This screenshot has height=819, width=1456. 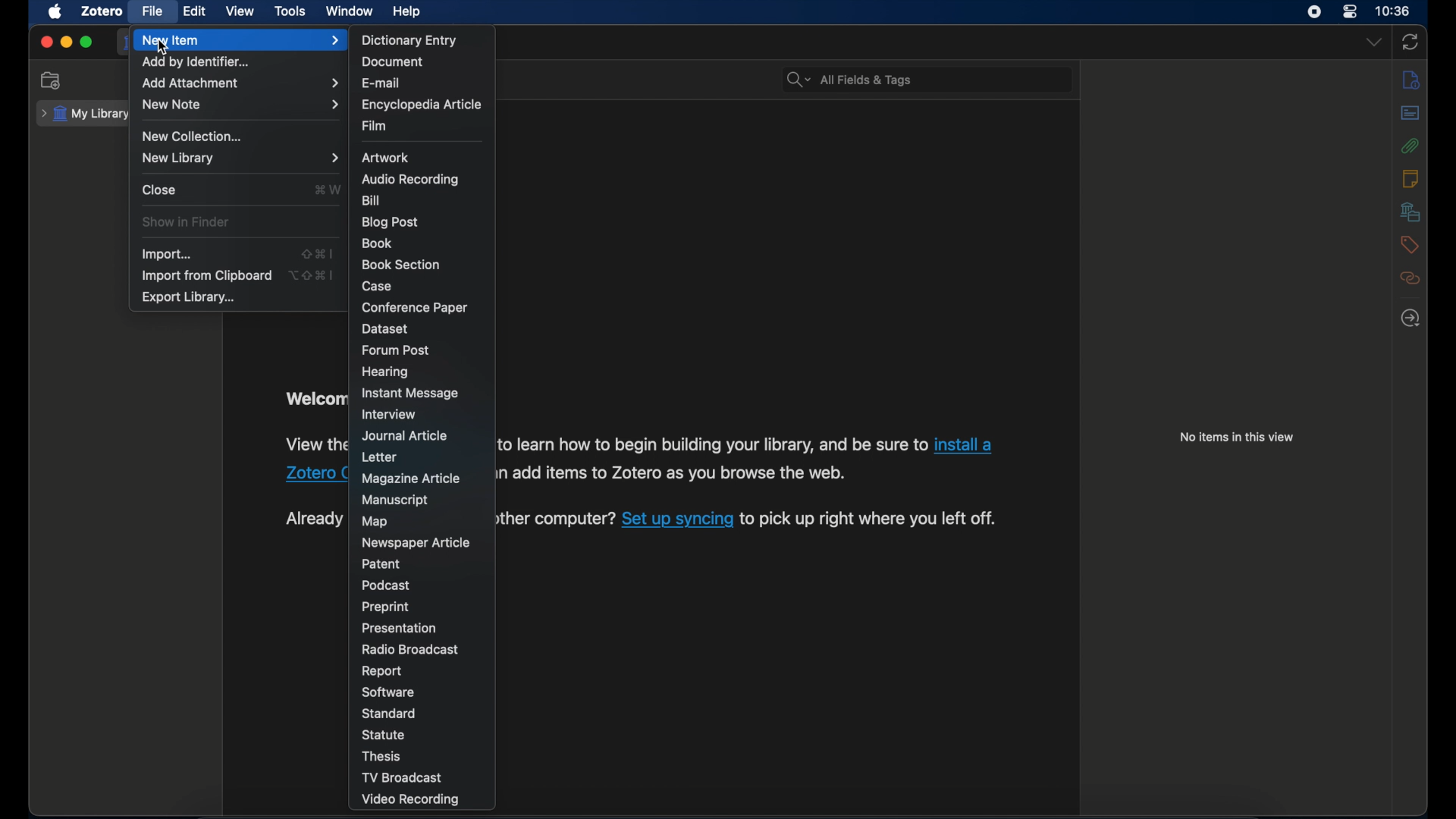 What do you see at coordinates (375, 522) in the screenshot?
I see `map` at bounding box center [375, 522].